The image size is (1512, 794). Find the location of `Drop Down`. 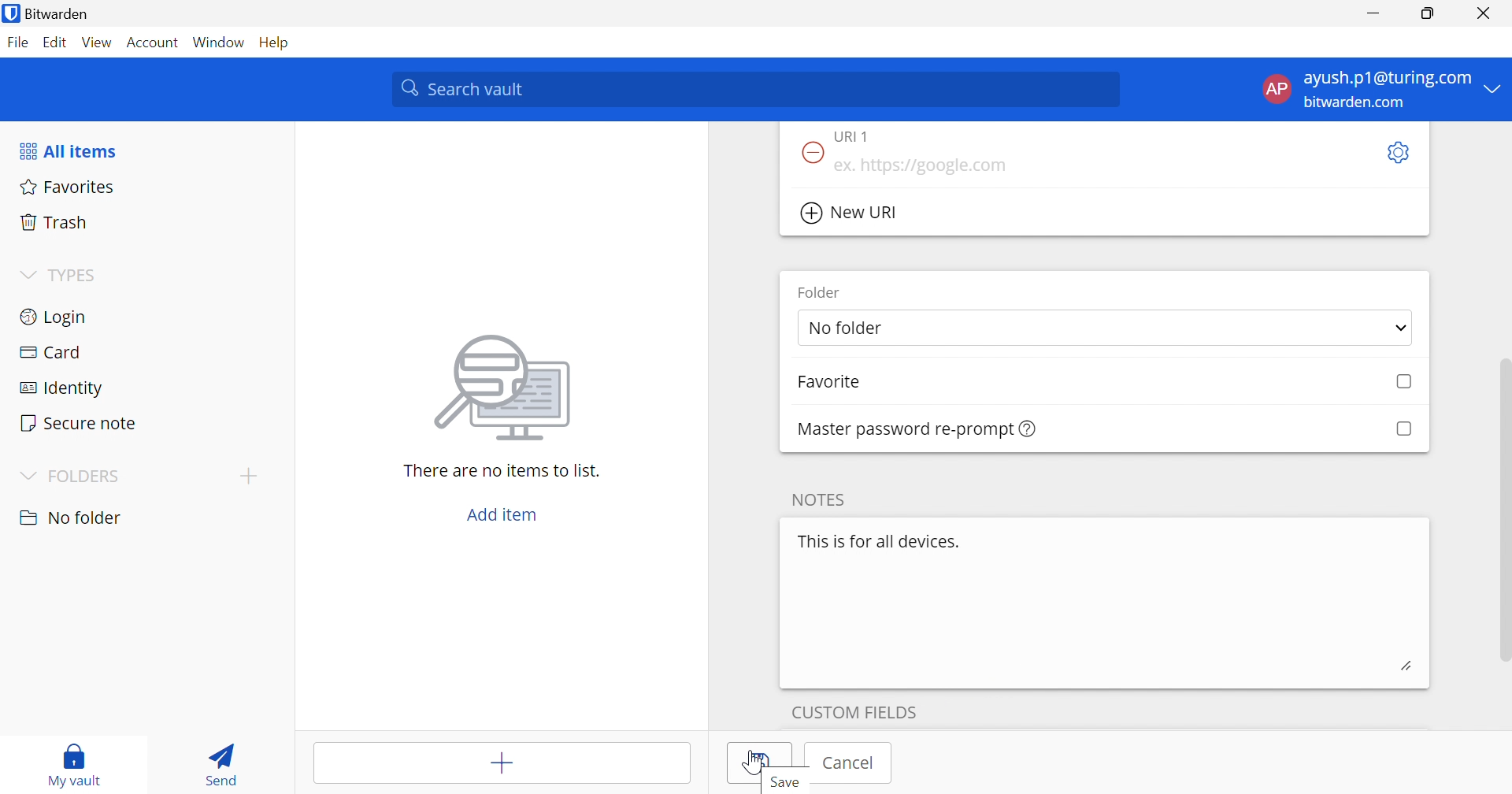

Drop Down is located at coordinates (27, 276).